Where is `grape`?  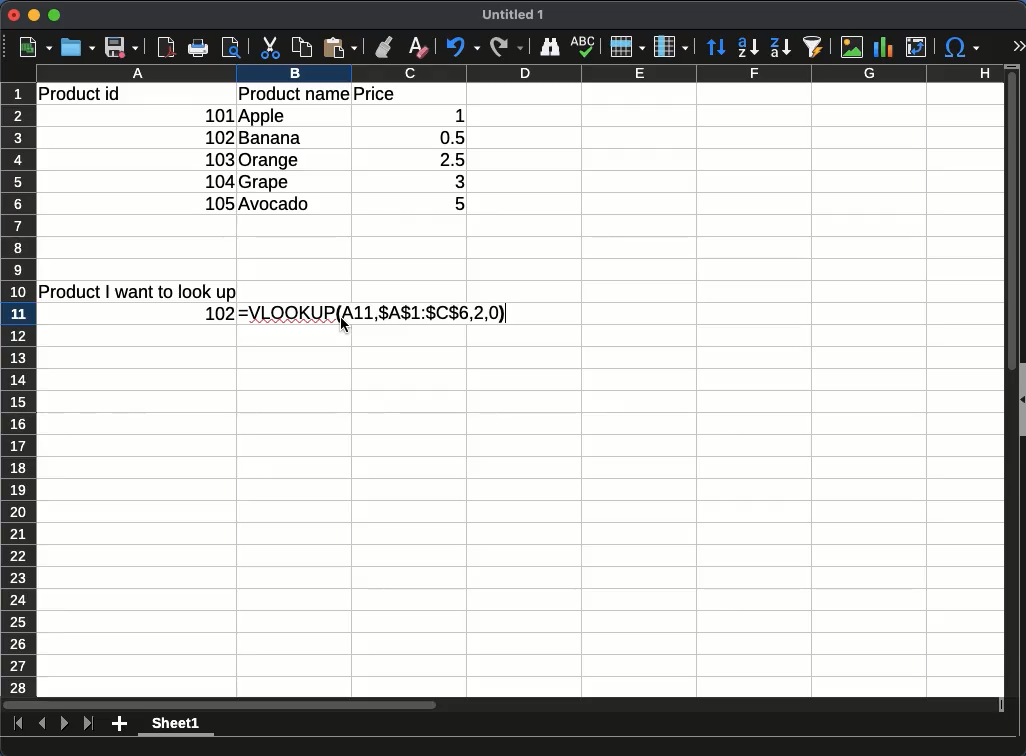 grape is located at coordinates (265, 183).